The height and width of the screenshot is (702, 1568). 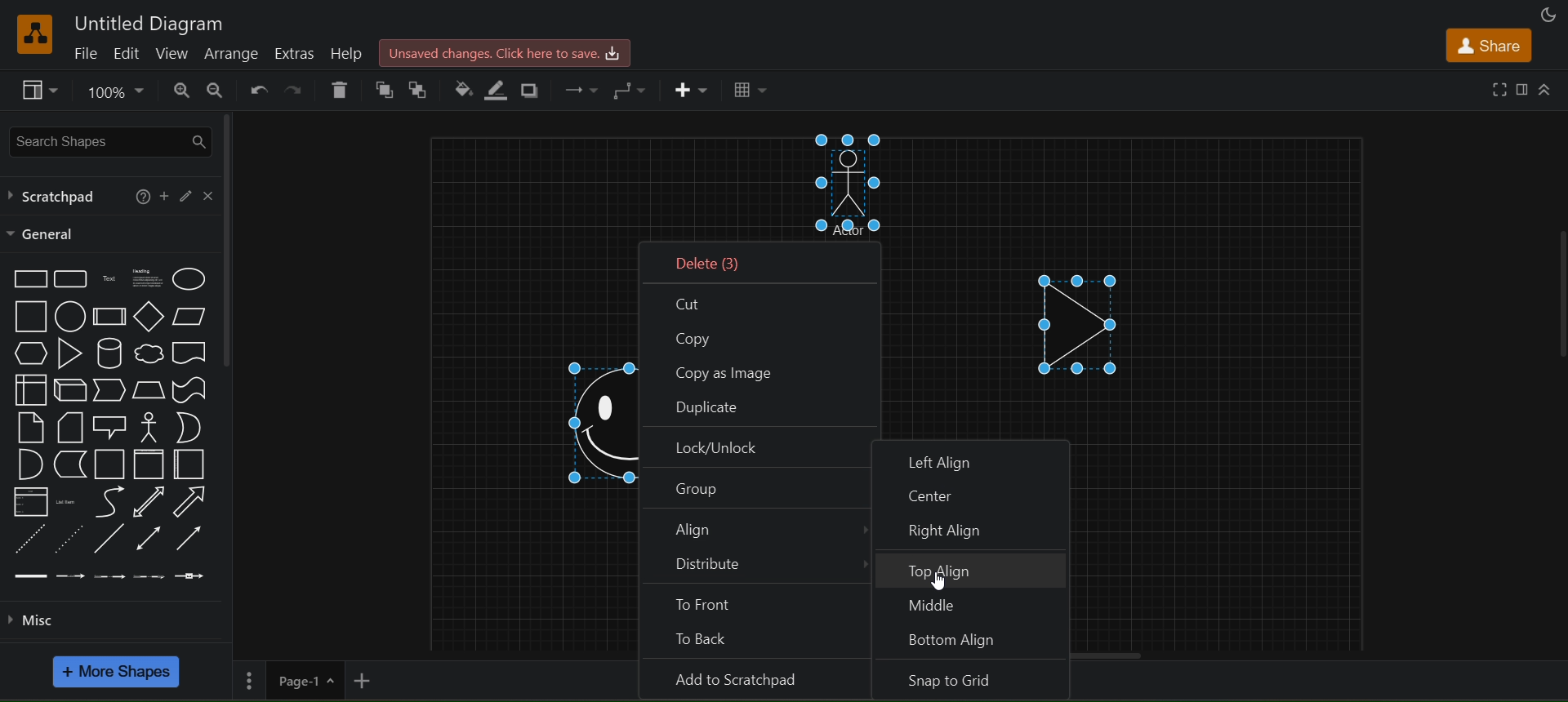 I want to click on redo, so click(x=297, y=88).